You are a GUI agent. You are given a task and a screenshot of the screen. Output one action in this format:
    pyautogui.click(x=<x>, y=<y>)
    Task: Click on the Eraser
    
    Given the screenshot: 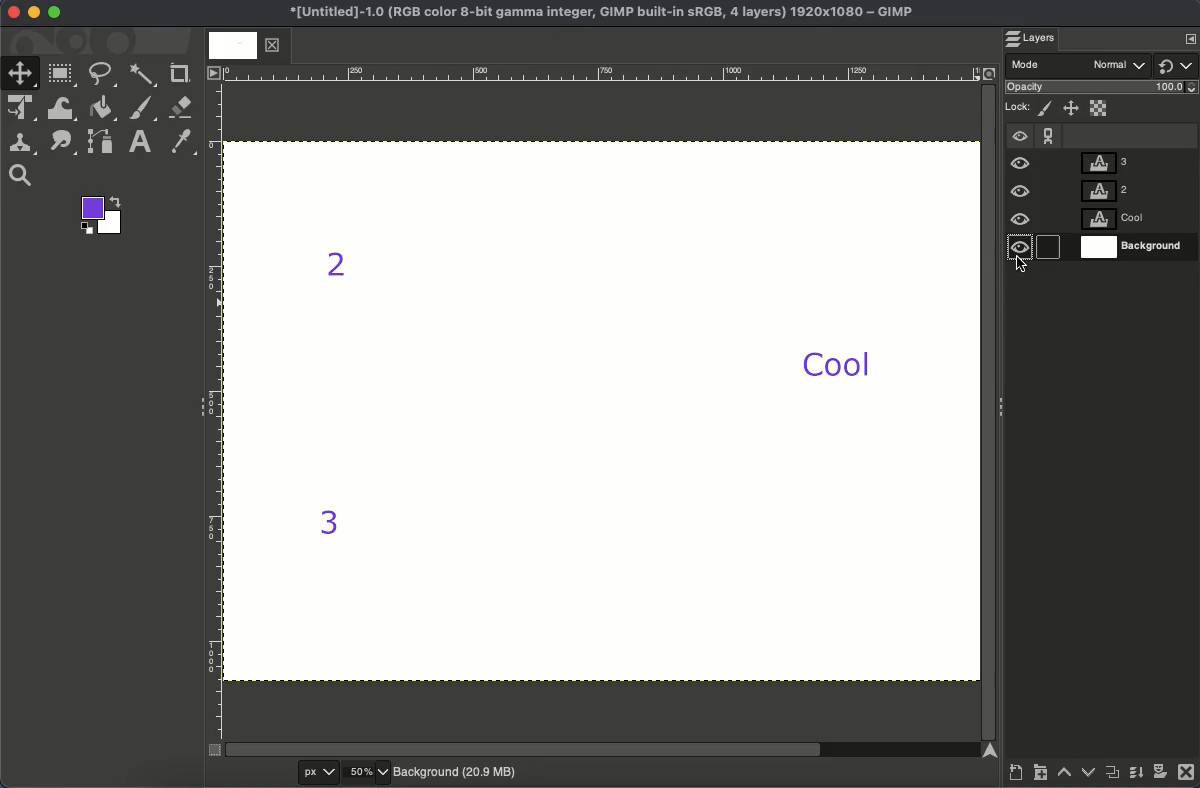 What is the action you would take?
    pyautogui.click(x=182, y=107)
    